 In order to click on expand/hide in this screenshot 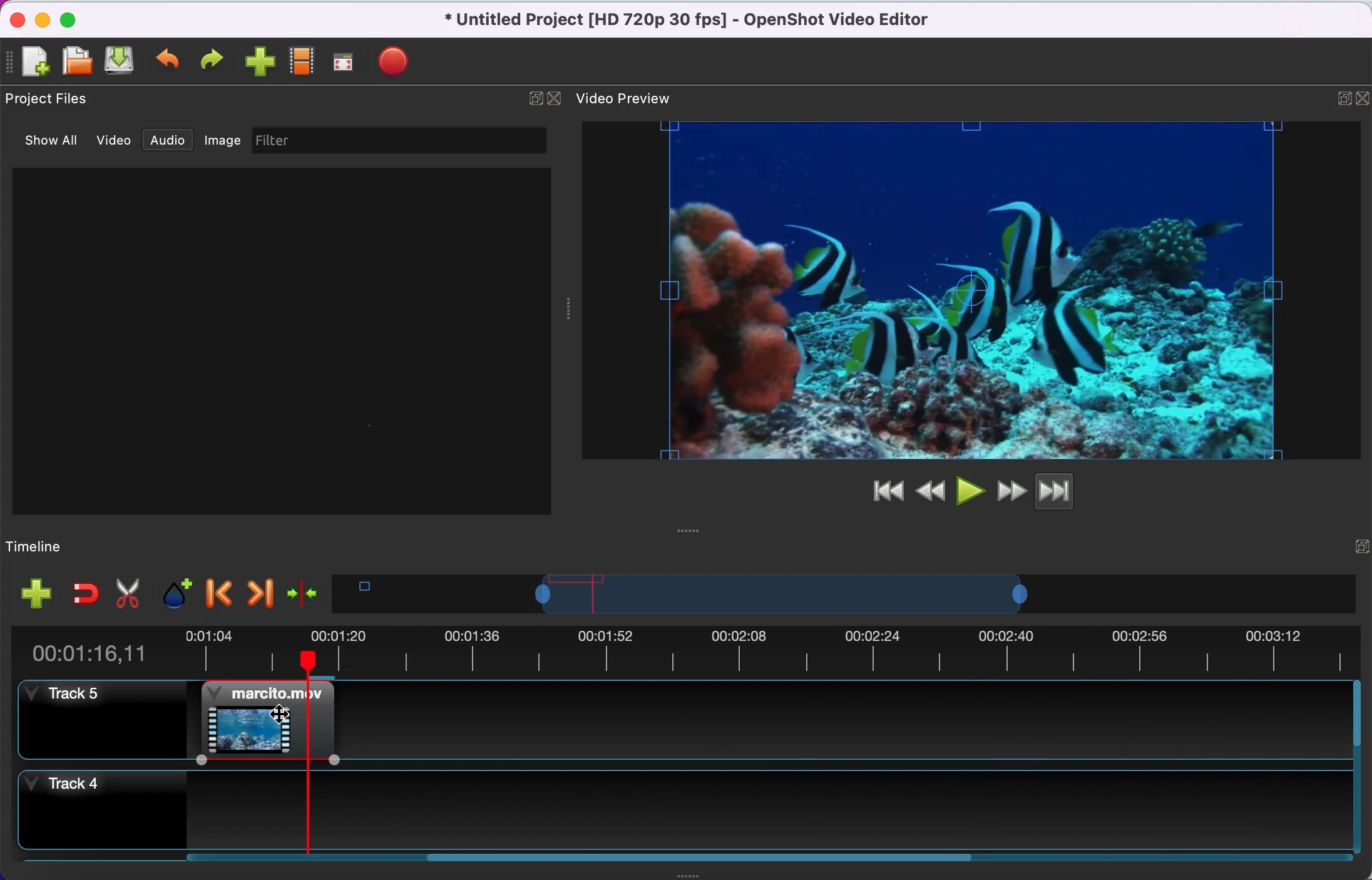, I will do `click(1363, 95)`.